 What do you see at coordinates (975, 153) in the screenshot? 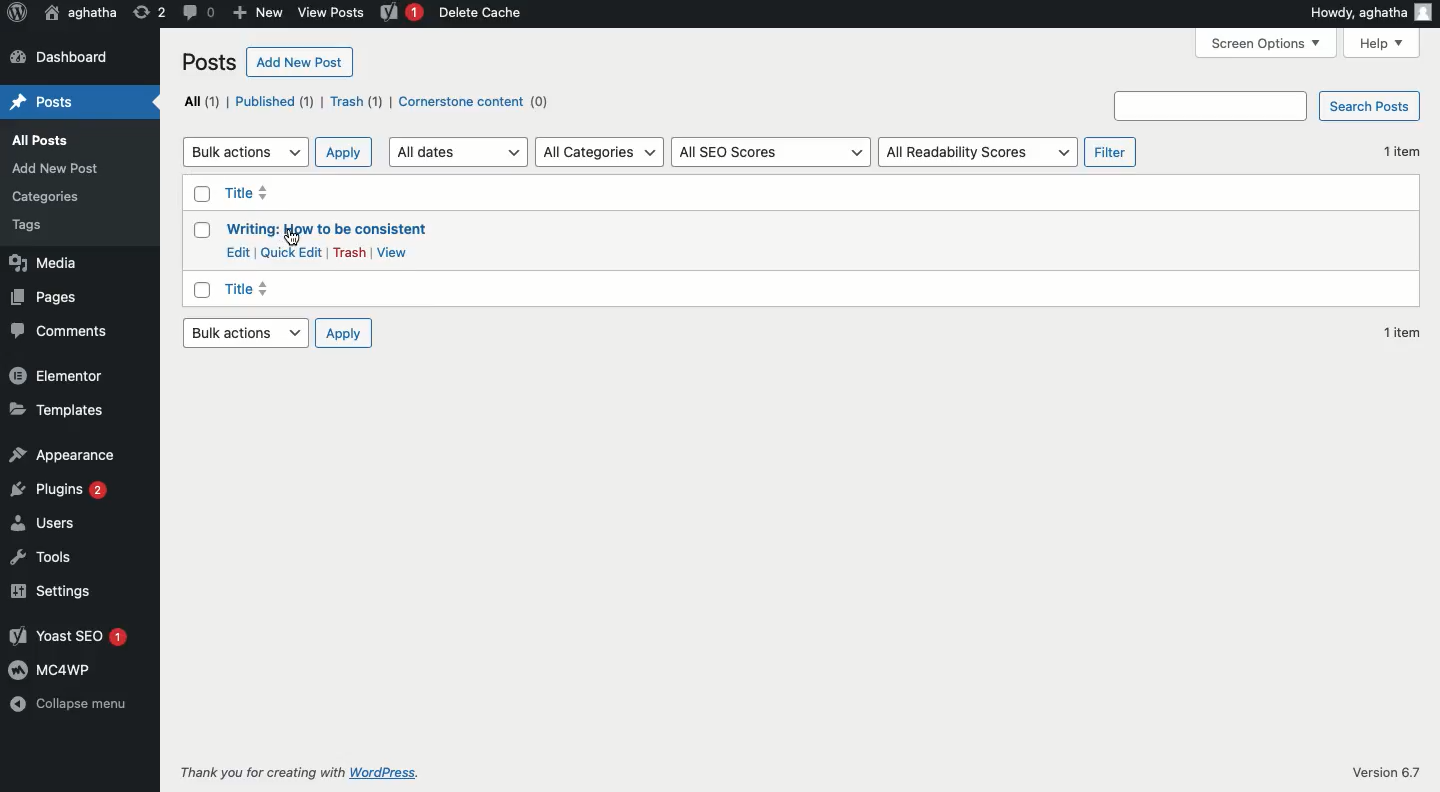
I see `All readability scores` at bounding box center [975, 153].